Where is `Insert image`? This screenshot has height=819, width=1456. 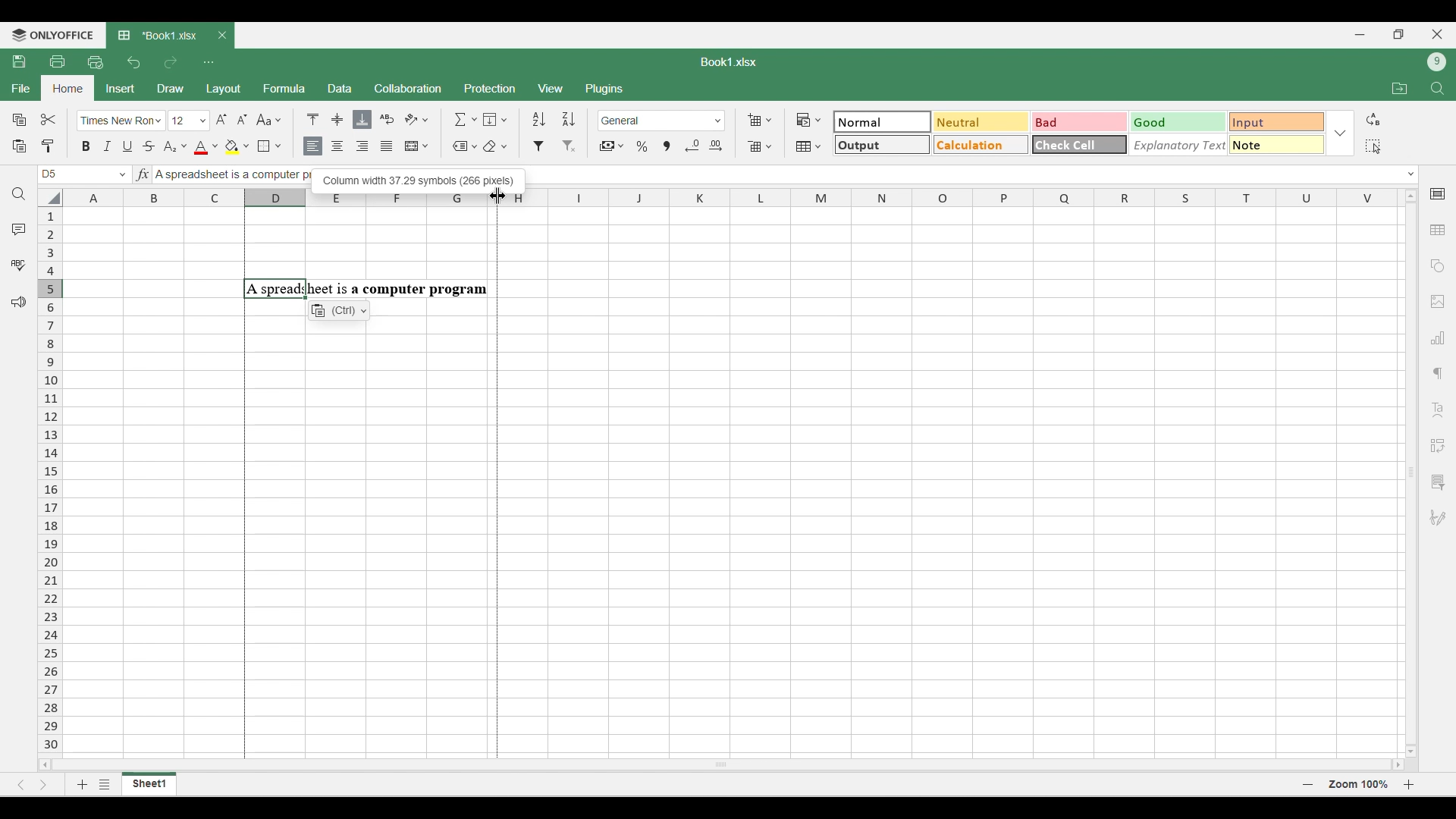
Insert image is located at coordinates (1439, 303).